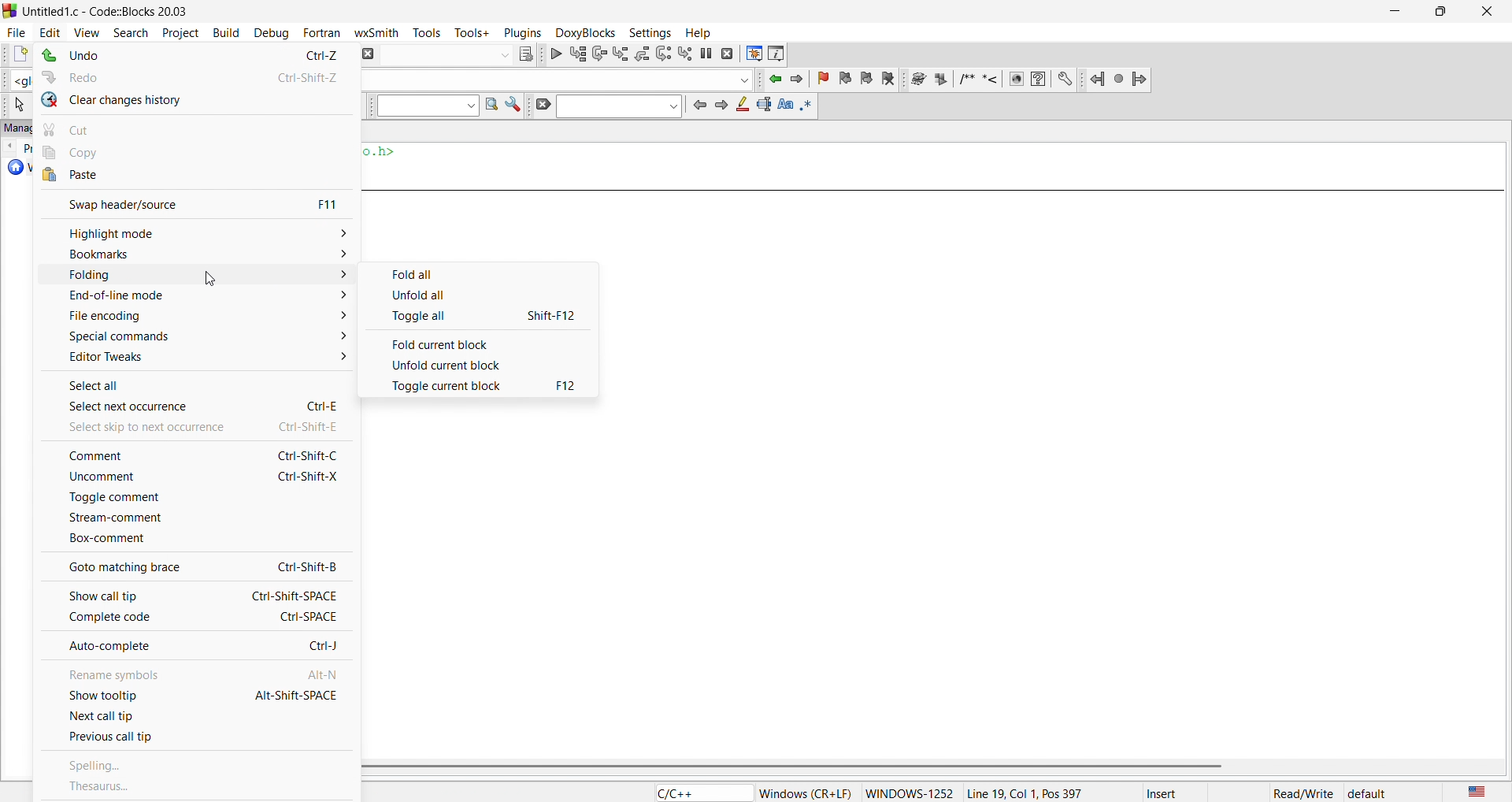 This screenshot has width=1512, height=802. What do you see at coordinates (193, 566) in the screenshot?
I see `goto matching brace` at bounding box center [193, 566].